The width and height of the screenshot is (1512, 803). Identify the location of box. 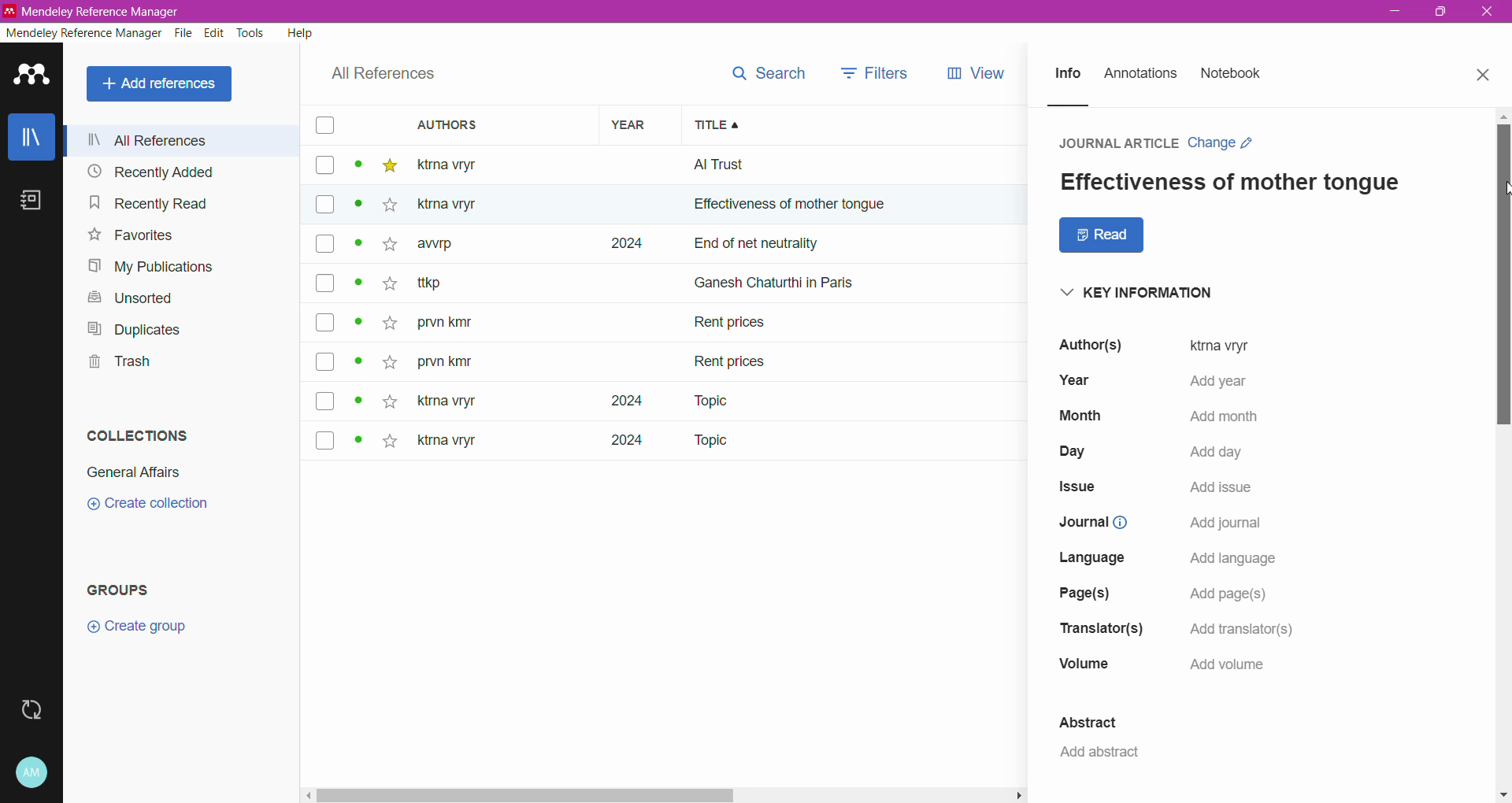
(324, 283).